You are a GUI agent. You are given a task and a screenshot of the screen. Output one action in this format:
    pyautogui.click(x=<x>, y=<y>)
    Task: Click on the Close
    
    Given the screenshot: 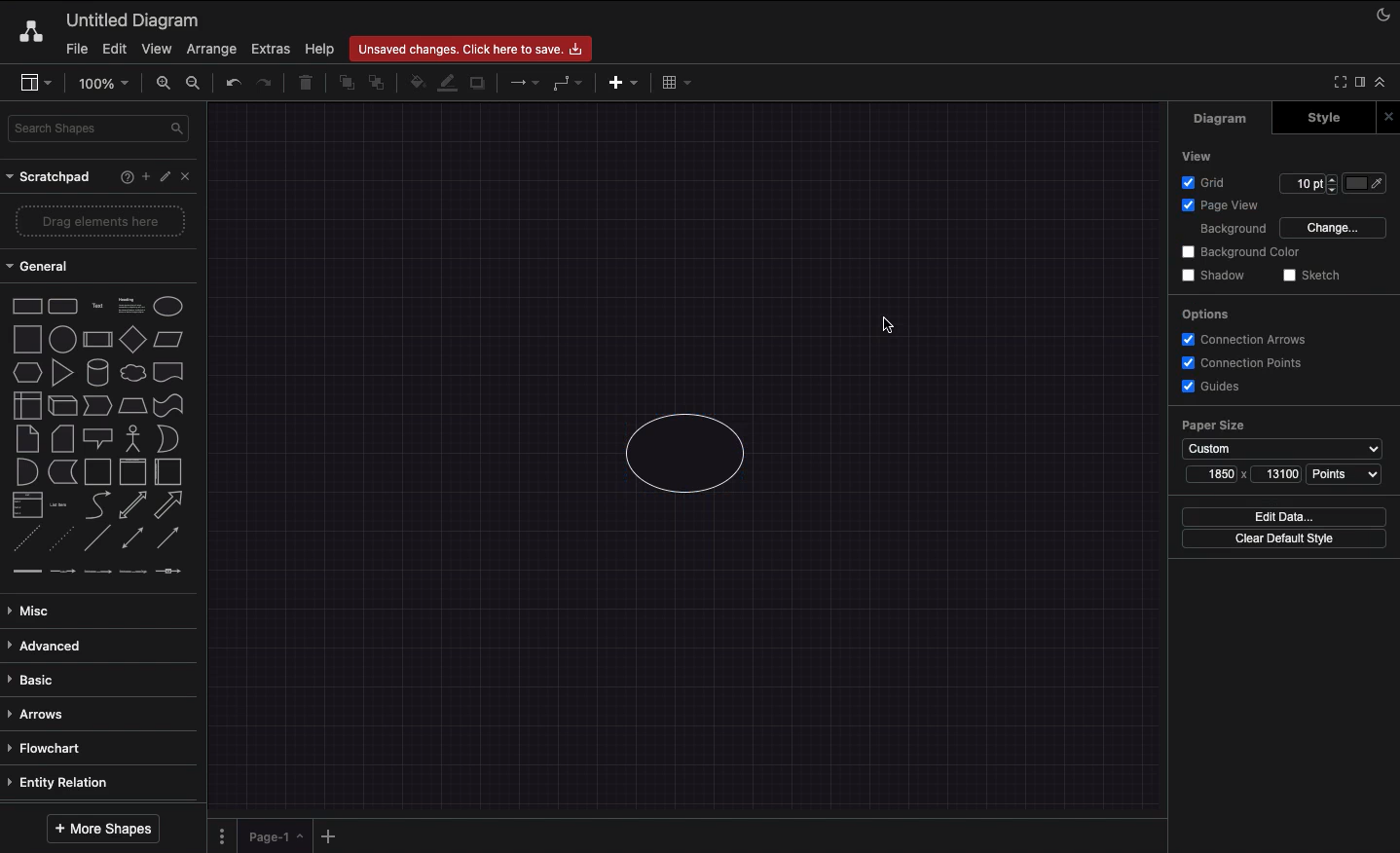 What is the action you would take?
    pyautogui.click(x=191, y=175)
    